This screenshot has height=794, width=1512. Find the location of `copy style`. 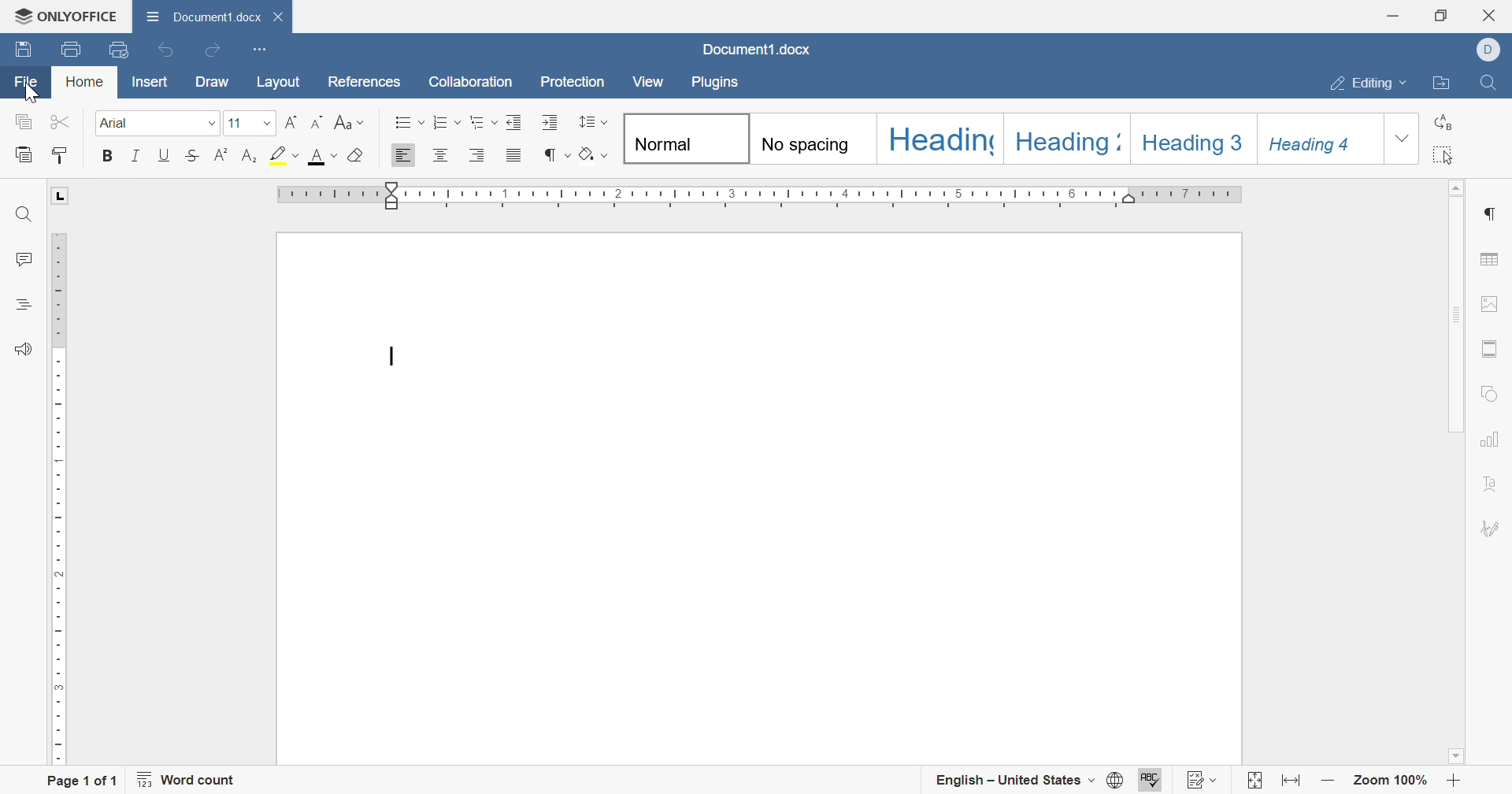

copy style is located at coordinates (61, 157).